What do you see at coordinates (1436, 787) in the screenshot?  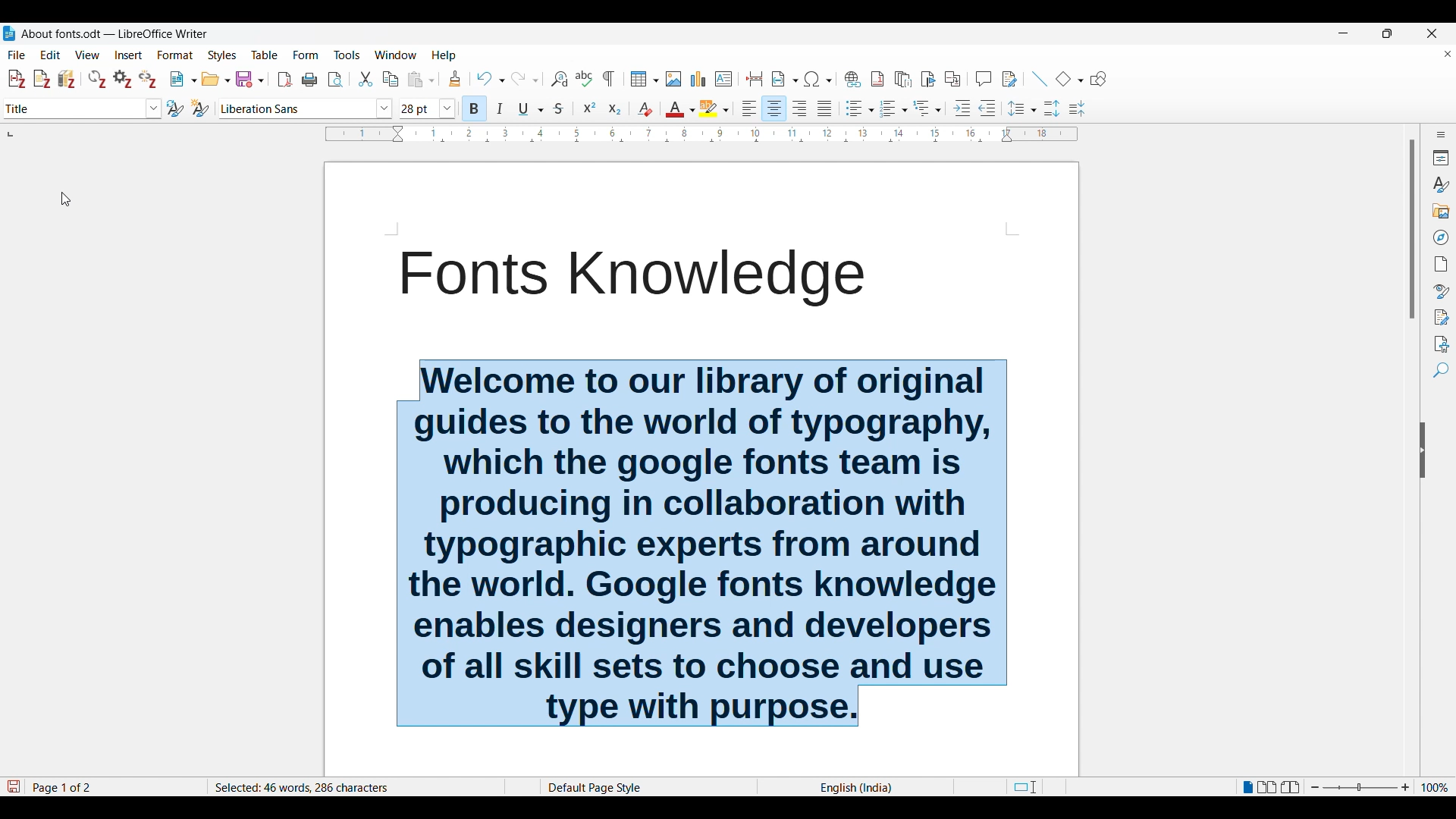 I see `Current zoom factor` at bounding box center [1436, 787].